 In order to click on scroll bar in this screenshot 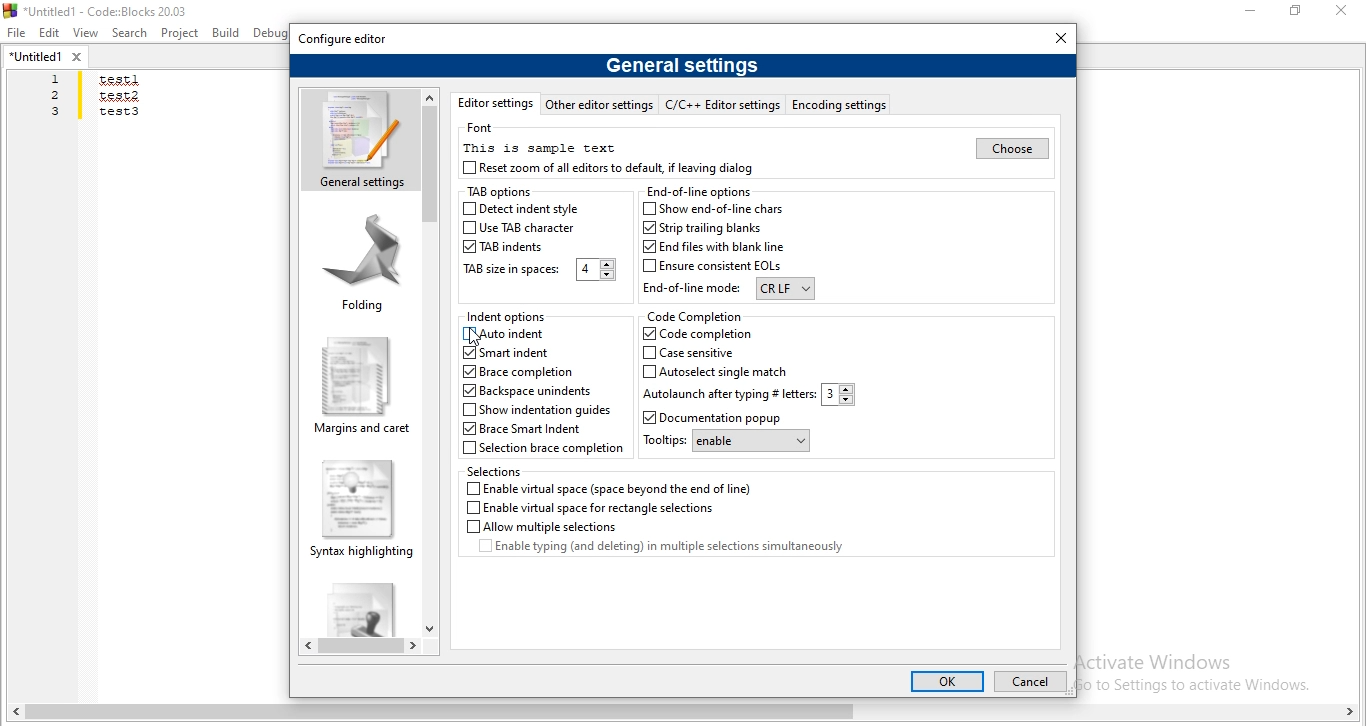, I will do `click(431, 361)`.